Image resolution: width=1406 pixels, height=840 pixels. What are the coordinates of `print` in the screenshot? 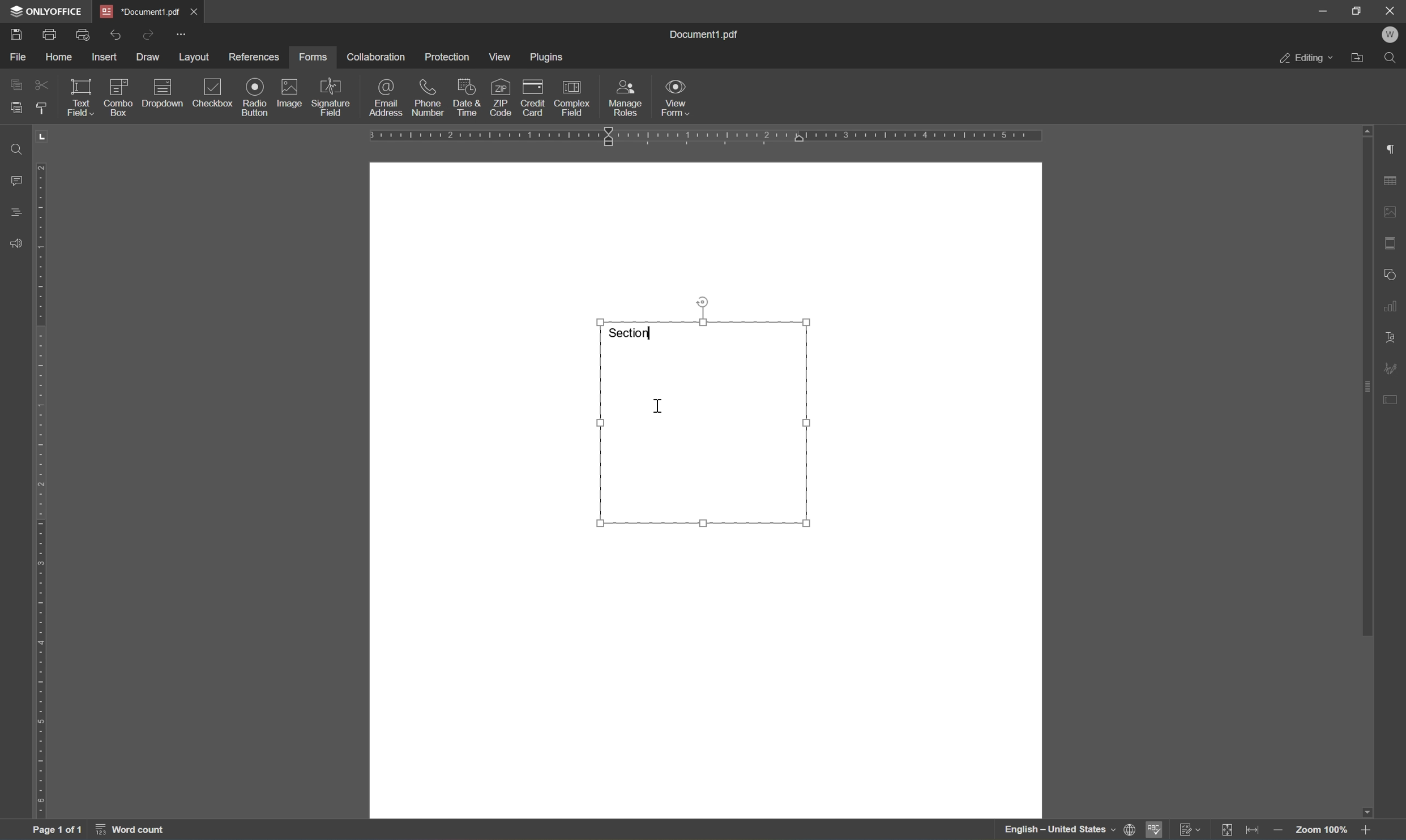 It's located at (49, 33).